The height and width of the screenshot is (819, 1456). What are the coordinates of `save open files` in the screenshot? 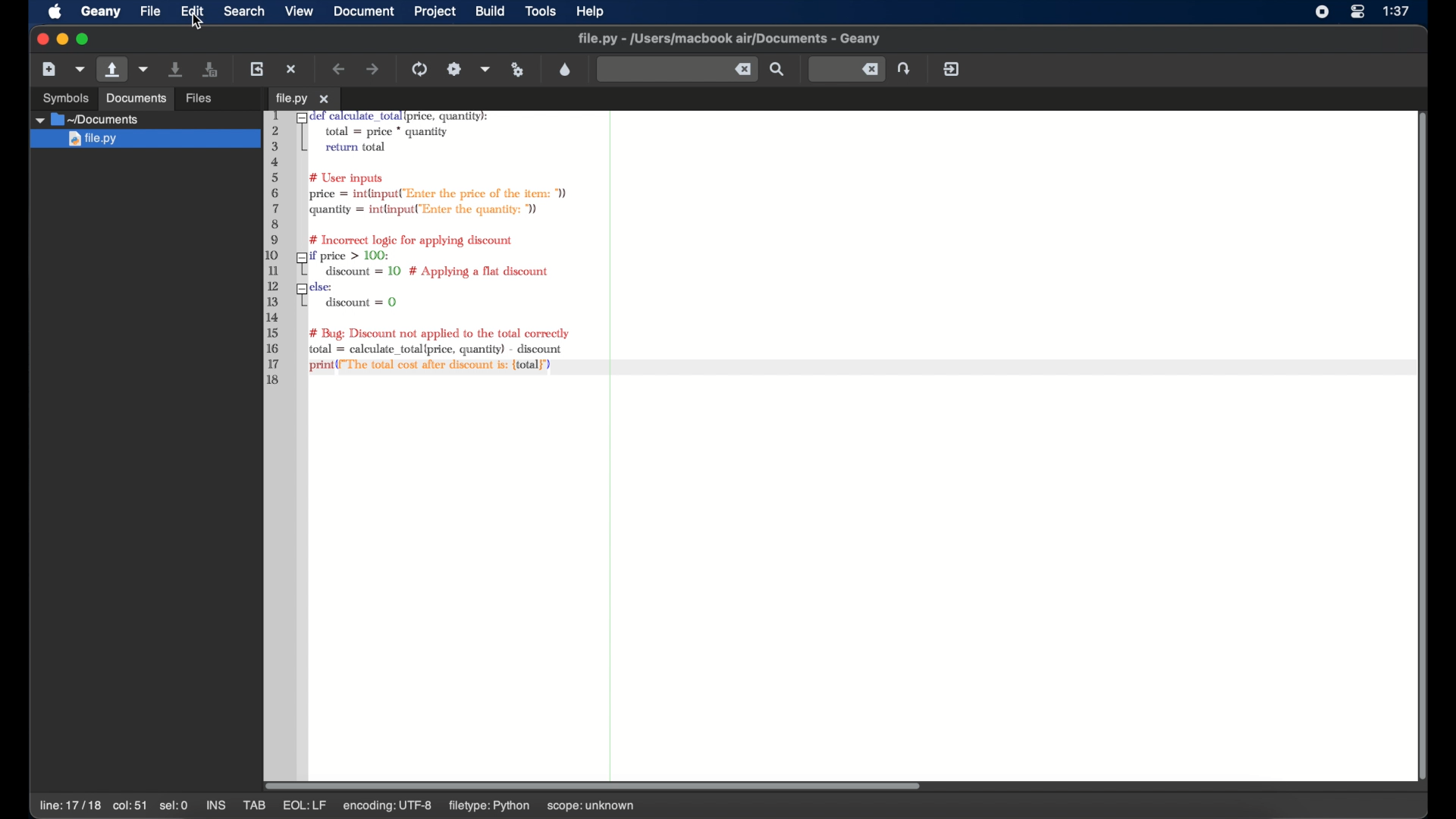 It's located at (212, 68).